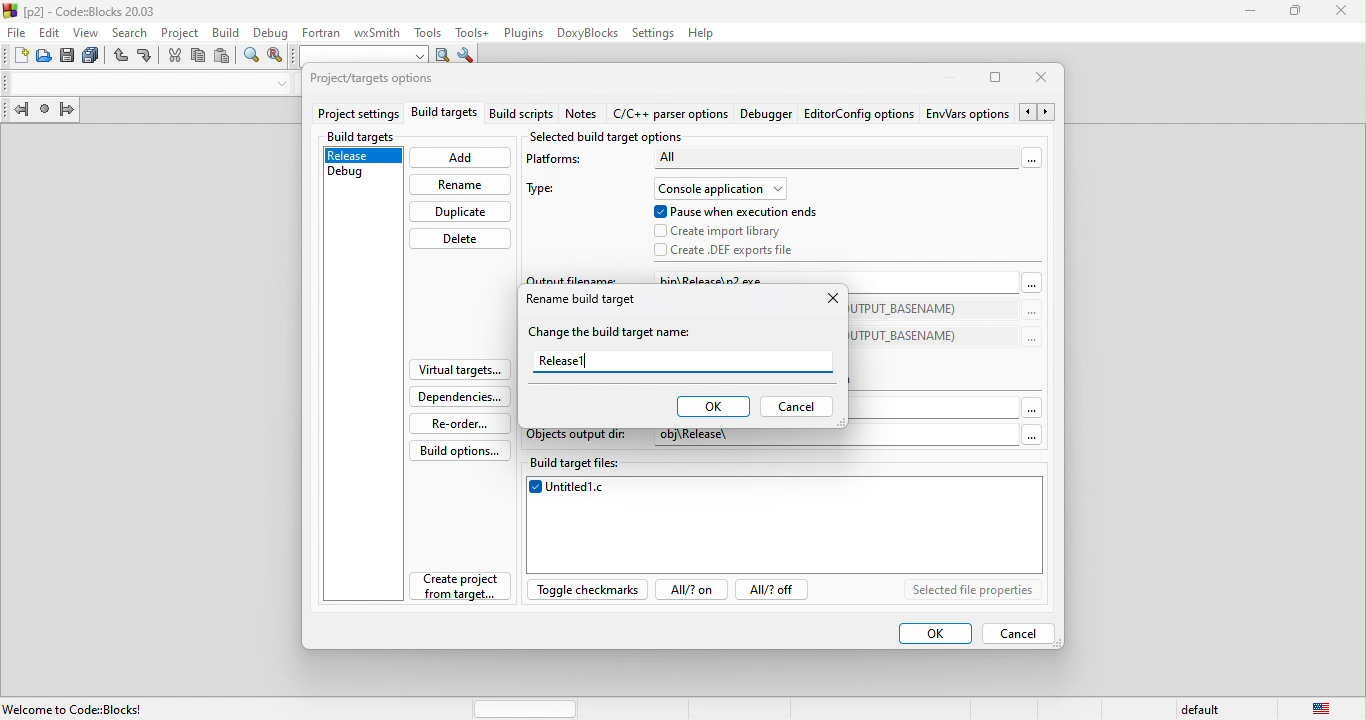 The width and height of the screenshot is (1366, 720). What do you see at coordinates (132, 31) in the screenshot?
I see `search` at bounding box center [132, 31].